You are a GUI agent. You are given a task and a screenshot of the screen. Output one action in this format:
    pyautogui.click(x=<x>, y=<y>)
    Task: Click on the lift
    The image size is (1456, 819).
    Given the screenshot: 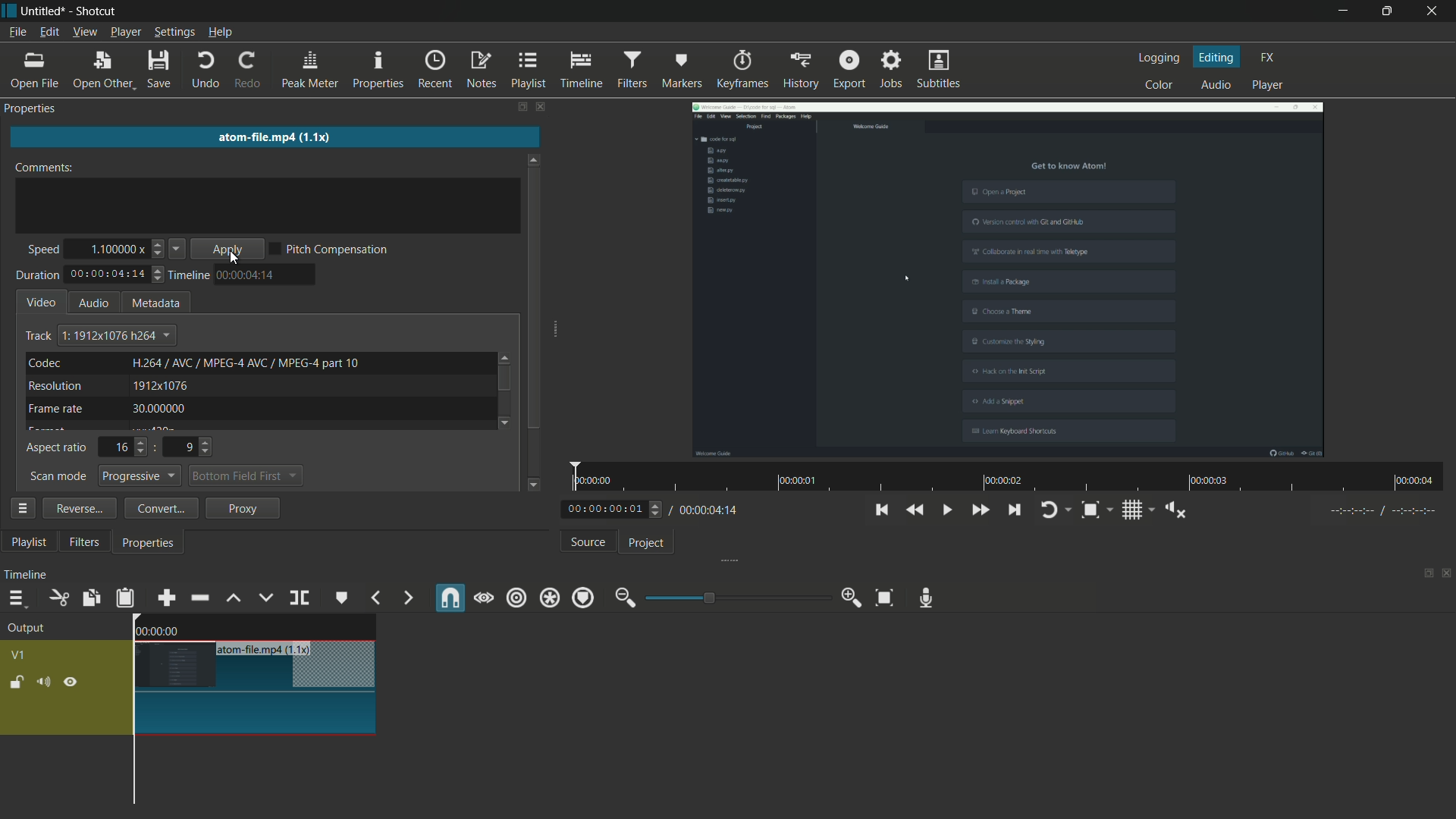 What is the action you would take?
    pyautogui.click(x=233, y=598)
    